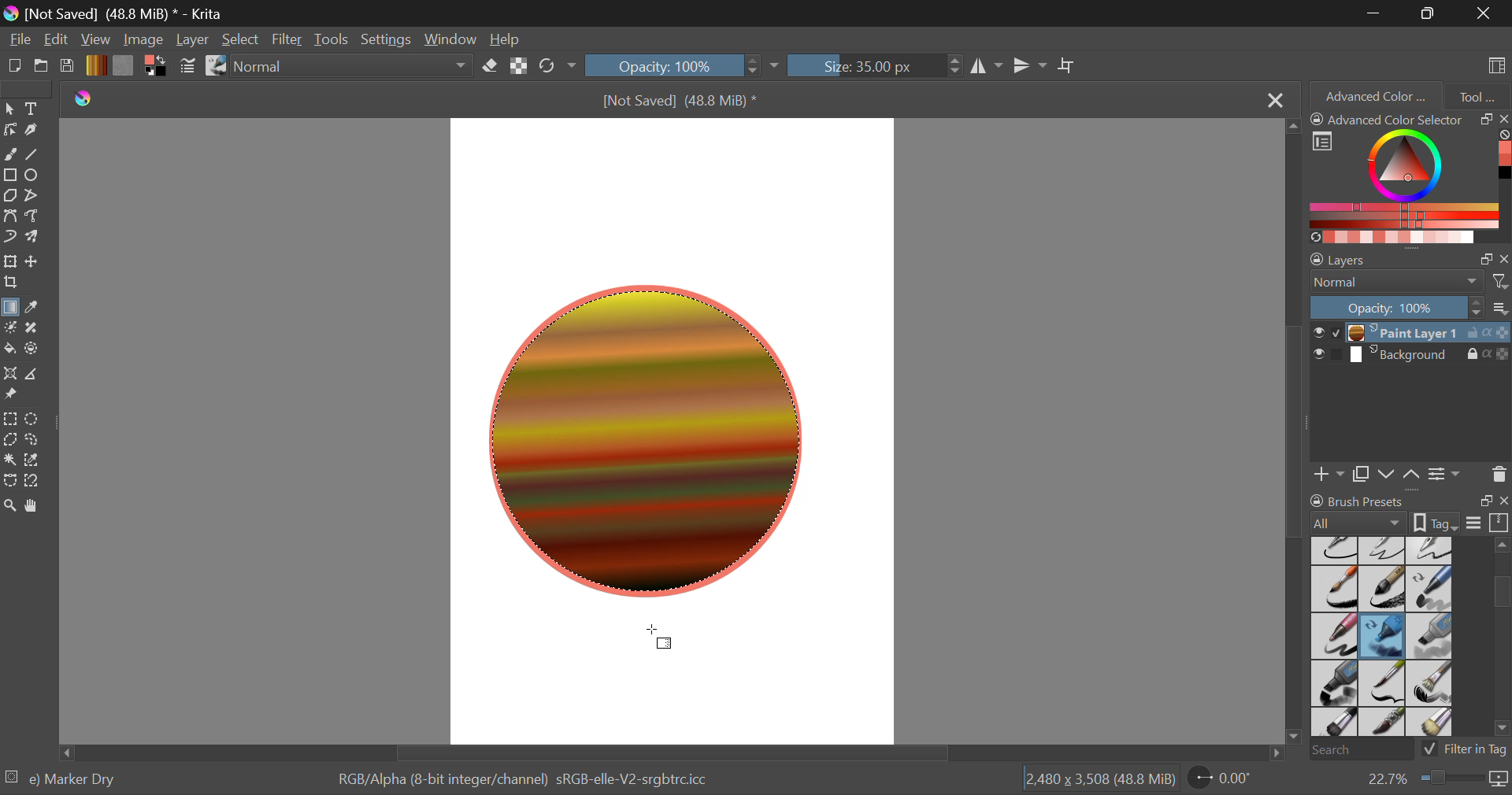 The image size is (1512, 795). What do you see at coordinates (1484, 13) in the screenshot?
I see `Close` at bounding box center [1484, 13].